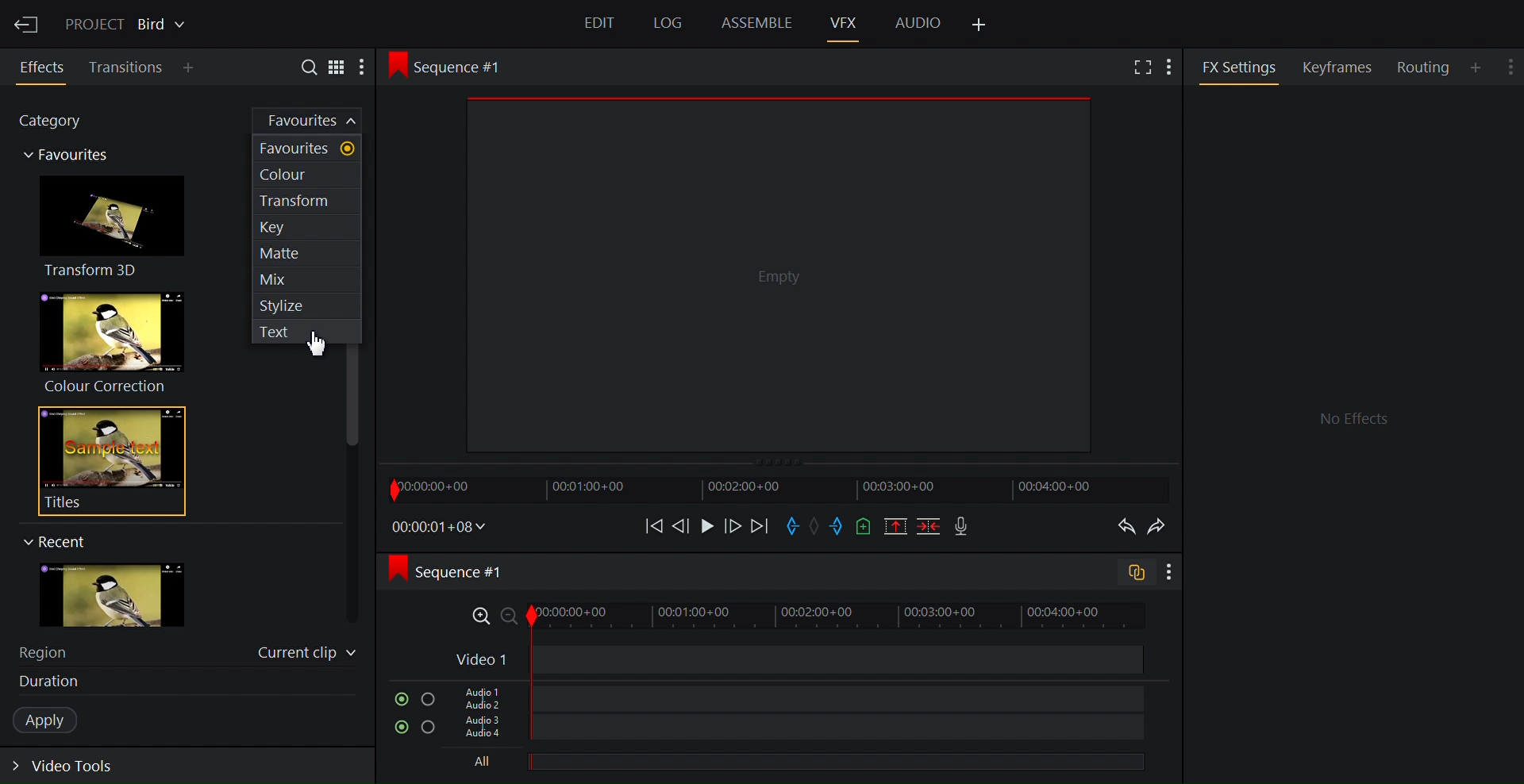  Describe the element at coordinates (304, 332) in the screenshot. I see `Text` at that location.